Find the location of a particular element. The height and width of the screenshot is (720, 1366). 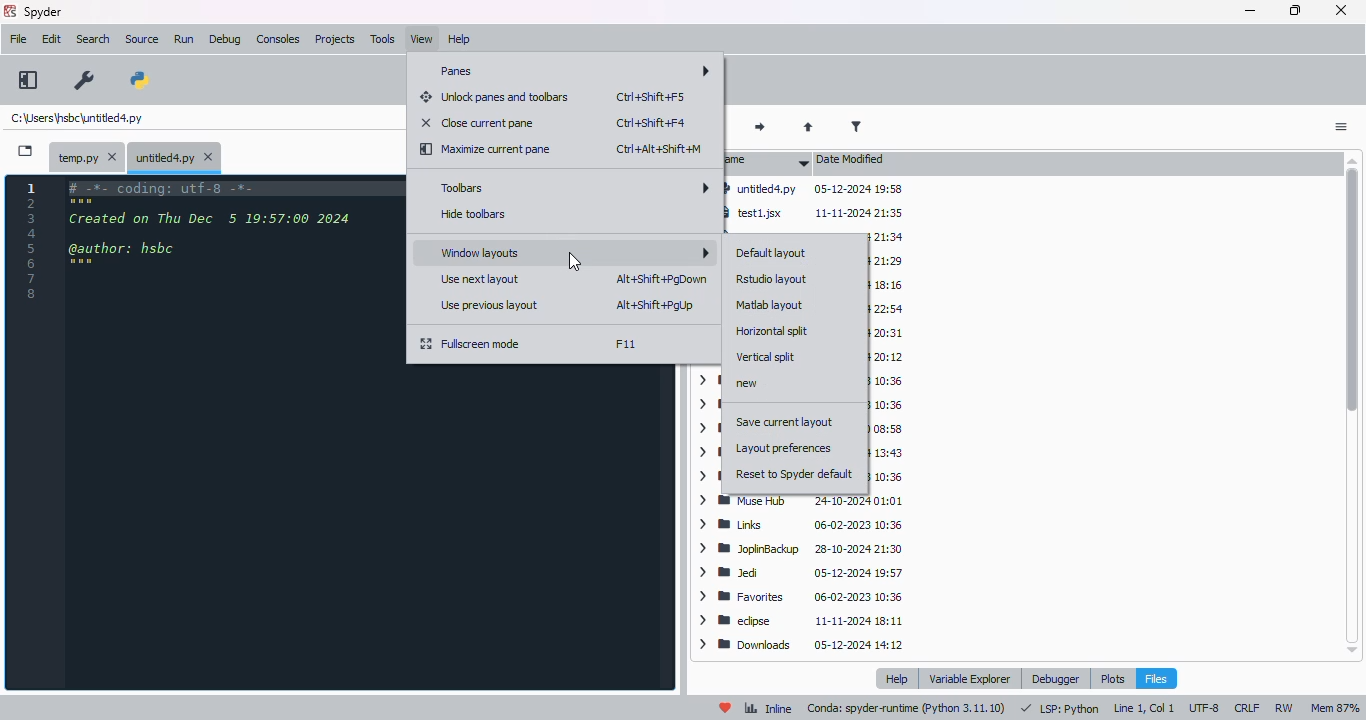

Downloads is located at coordinates (800, 644).